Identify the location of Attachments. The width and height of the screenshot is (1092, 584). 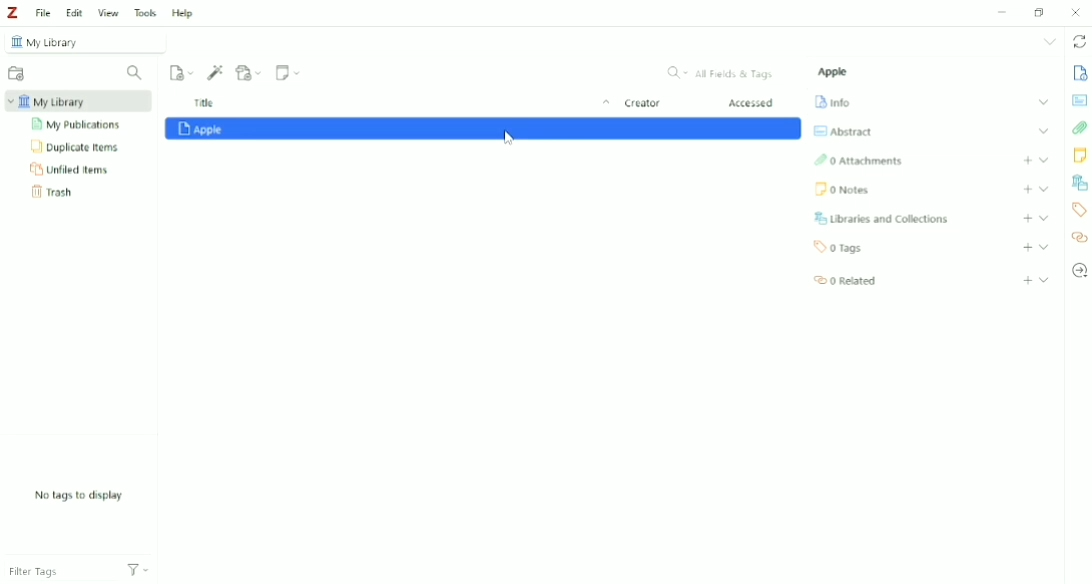
(859, 161).